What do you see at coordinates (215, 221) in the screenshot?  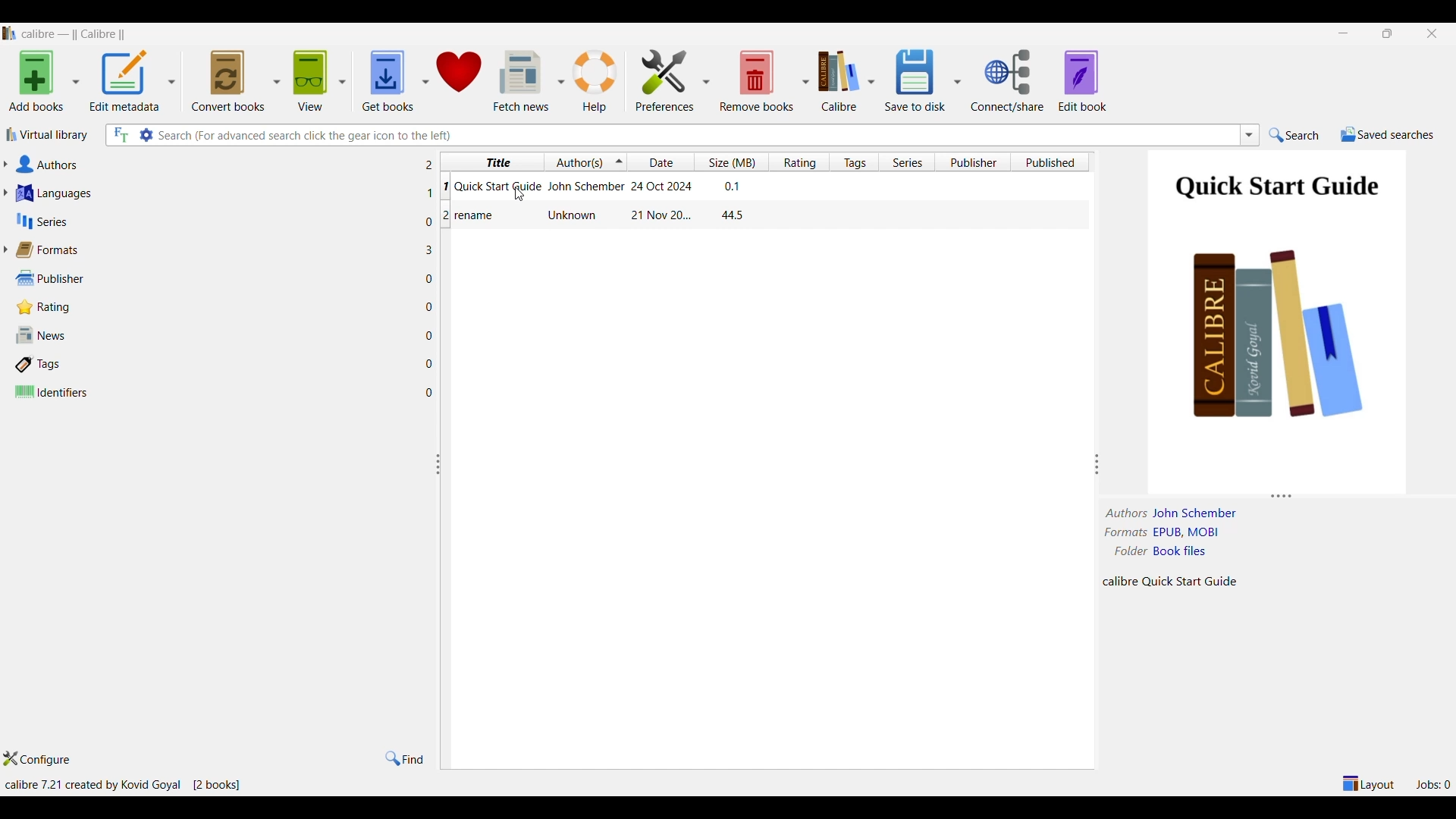 I see `Series` at bounding box center [215, 221].